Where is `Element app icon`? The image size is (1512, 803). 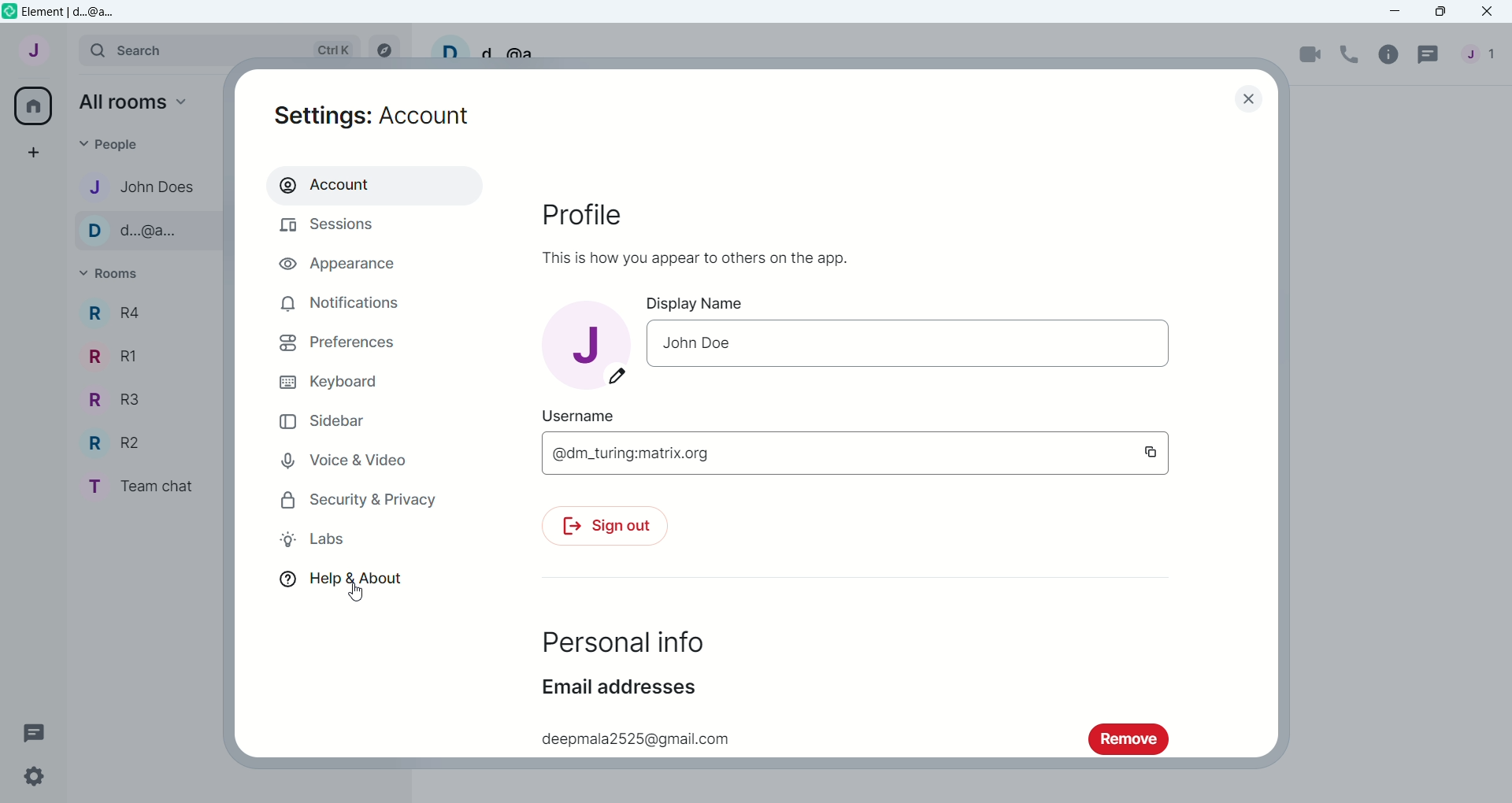
Element app icon is located at coordinates (9, 12).